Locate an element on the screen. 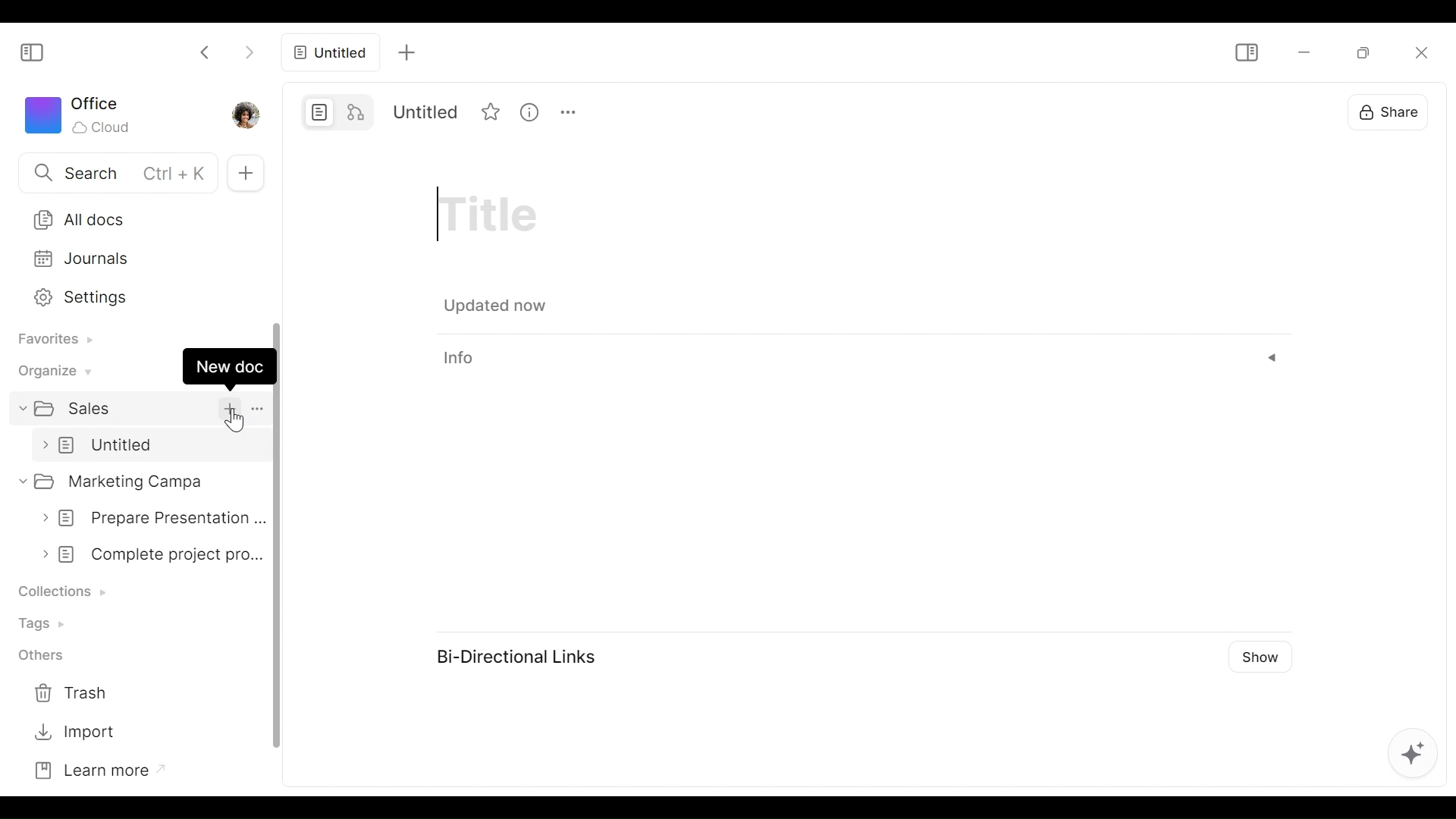  Show/Hide Sidebar is located at coordinates (33, 53).